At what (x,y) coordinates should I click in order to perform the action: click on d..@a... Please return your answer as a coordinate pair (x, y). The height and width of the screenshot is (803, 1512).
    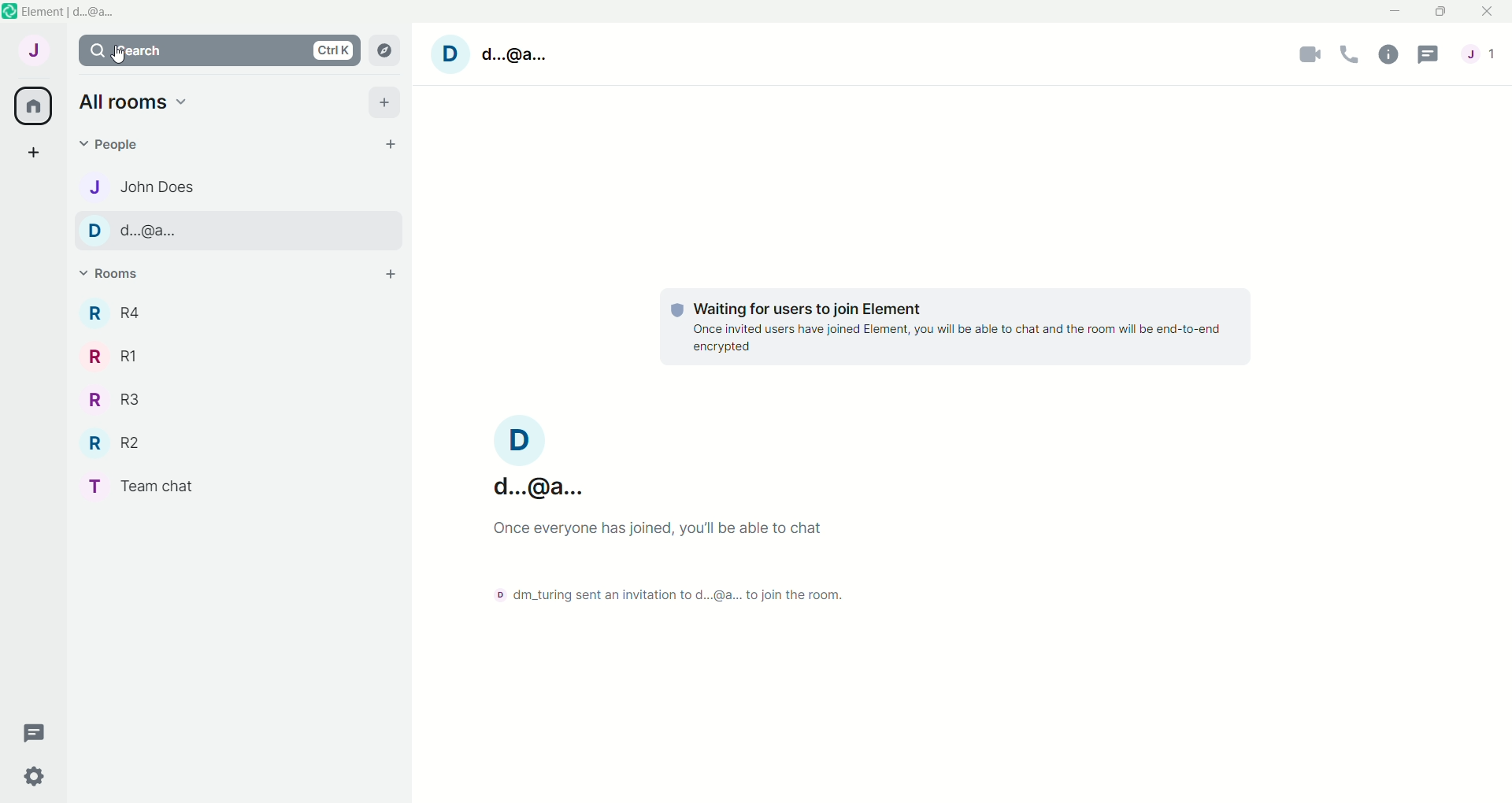
    Looking at the image, I should click on (535, 461).